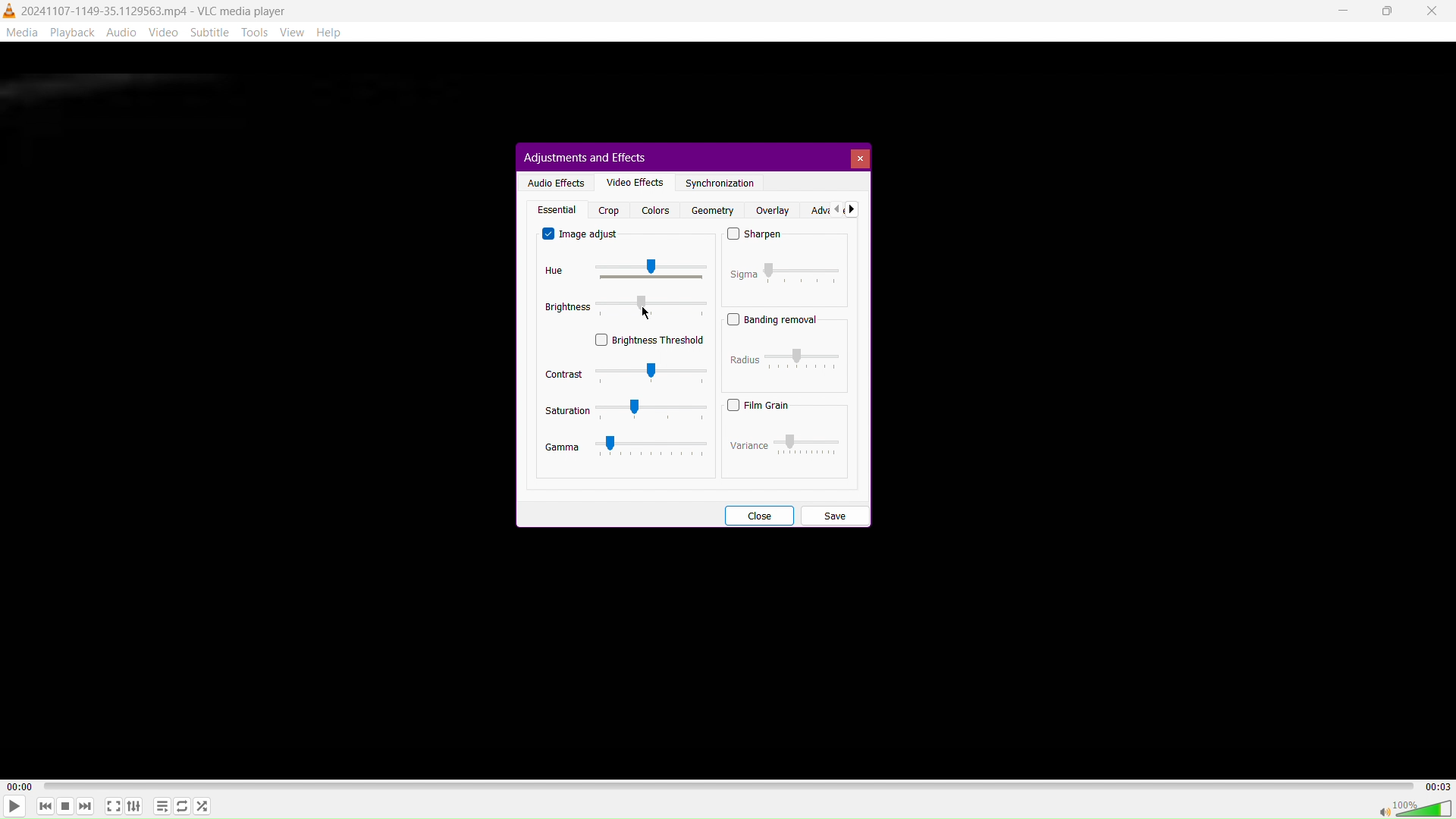  What do you see at coordinates (627, 447) in the screenshot?
I see `Gamma` at bounding box center [627, 447].